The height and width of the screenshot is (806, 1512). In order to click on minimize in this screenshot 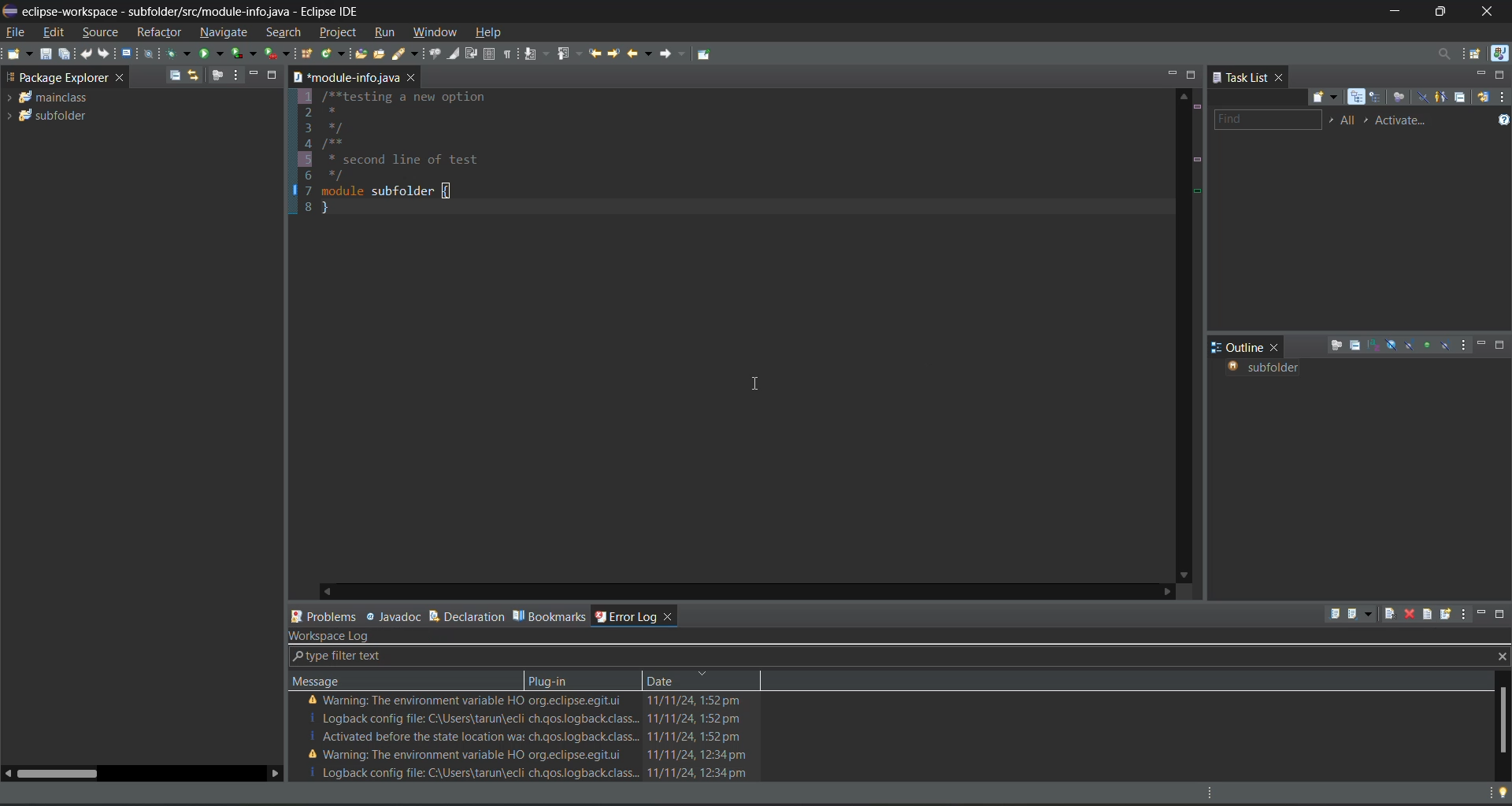, I will do `click(1484, 344)`.